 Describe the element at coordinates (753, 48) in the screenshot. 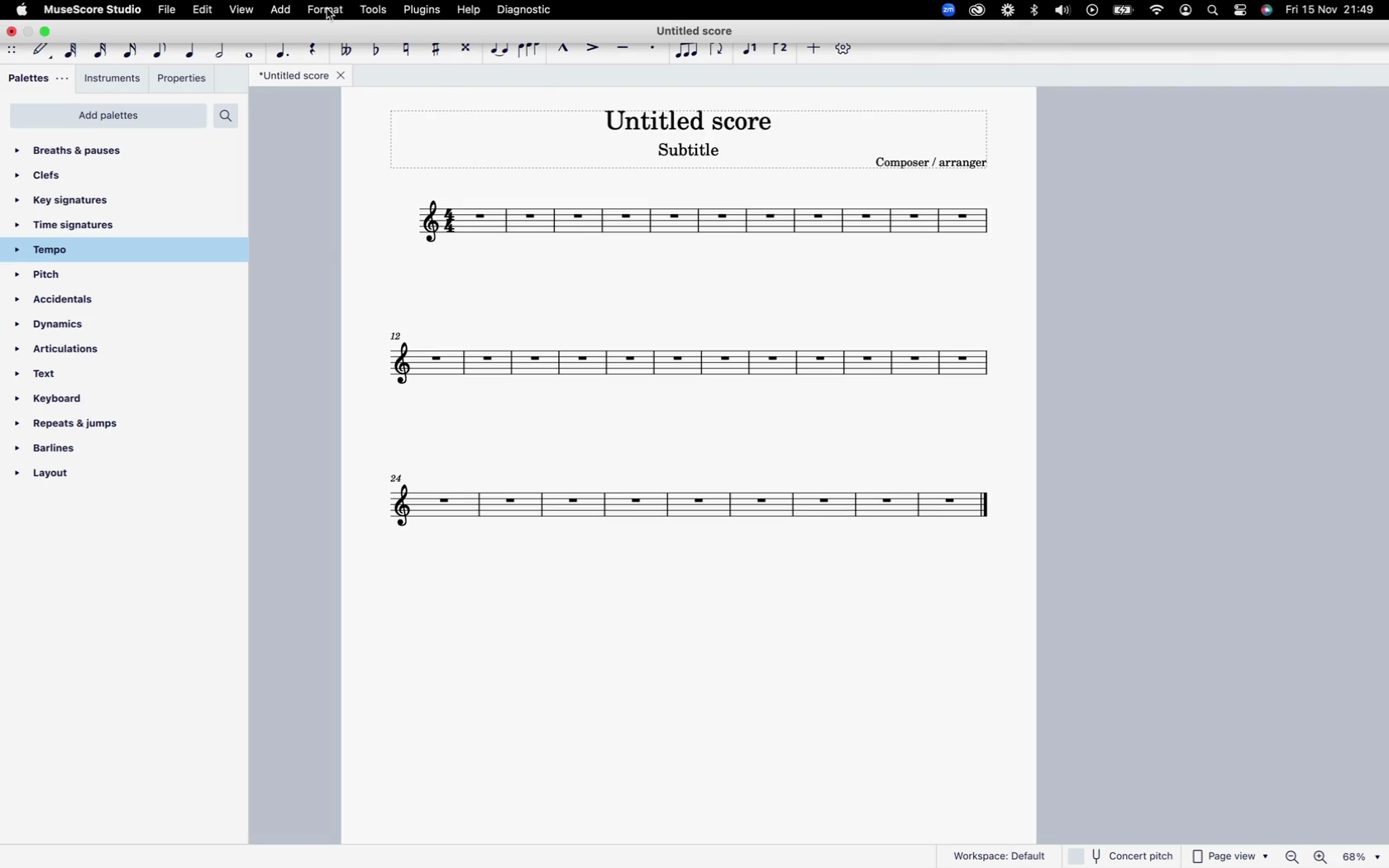

I see `voice 1` at that location.